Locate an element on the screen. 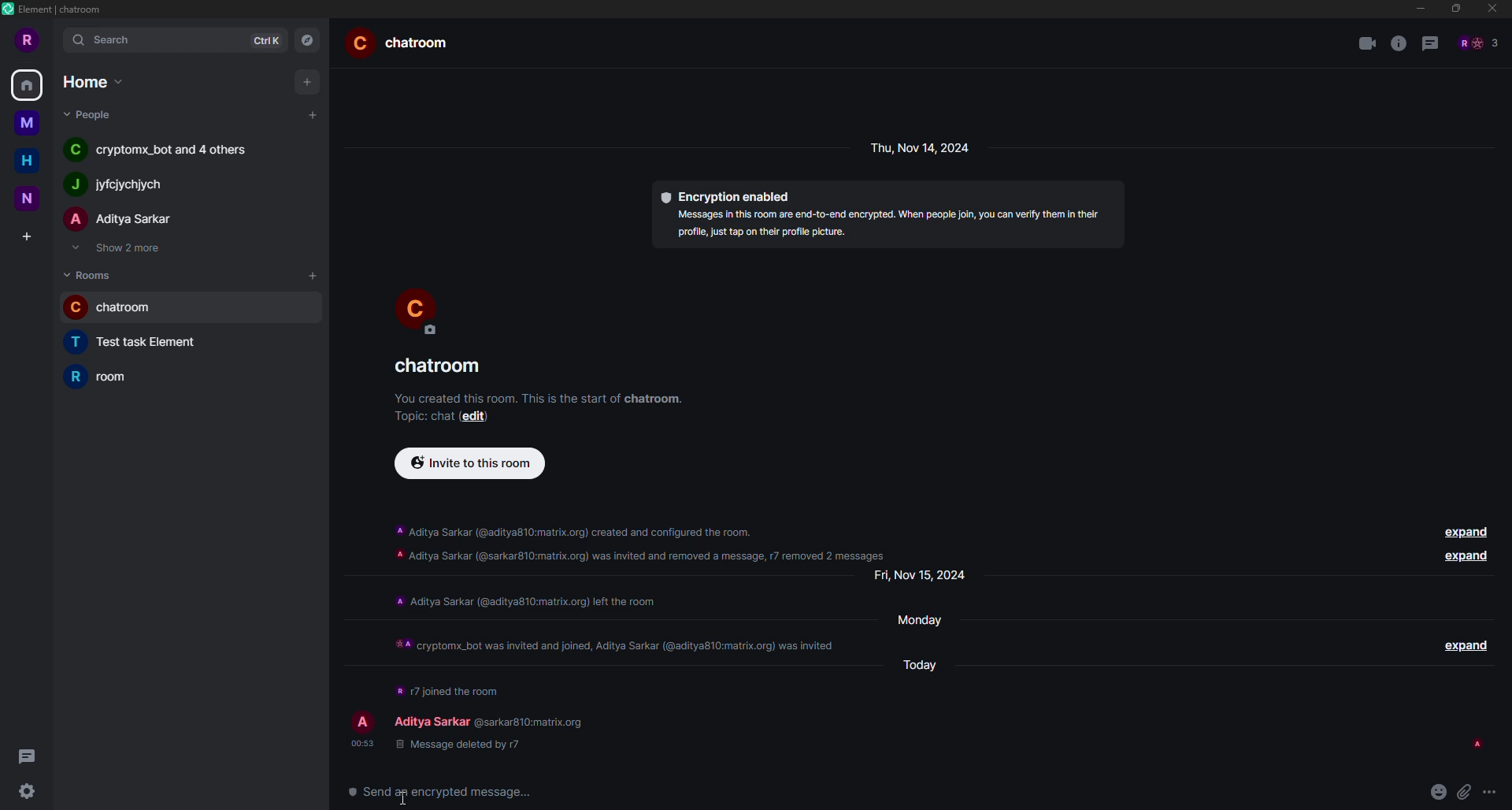  close is located at coordinates (1492, 8).